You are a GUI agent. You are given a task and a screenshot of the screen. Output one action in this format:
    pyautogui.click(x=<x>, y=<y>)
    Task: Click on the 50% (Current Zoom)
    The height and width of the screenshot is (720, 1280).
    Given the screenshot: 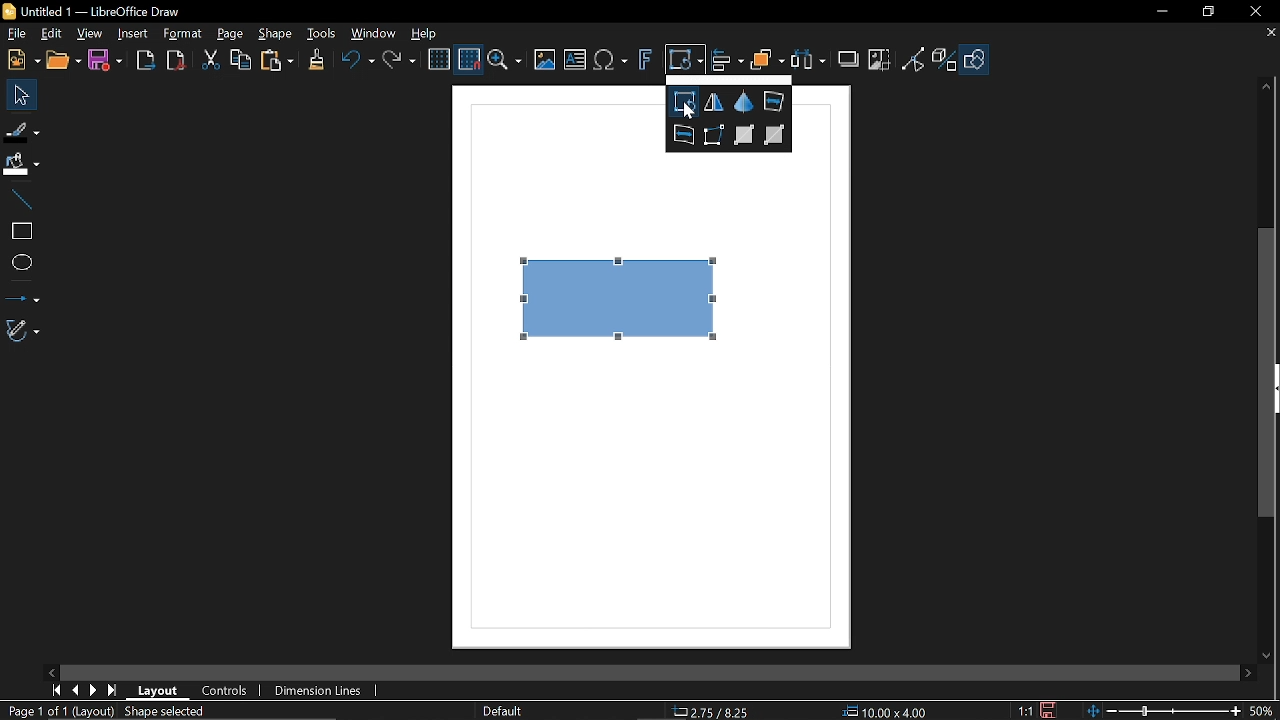 What is the action you would take?
    pyautogui.click(x=1265, y=709)
    